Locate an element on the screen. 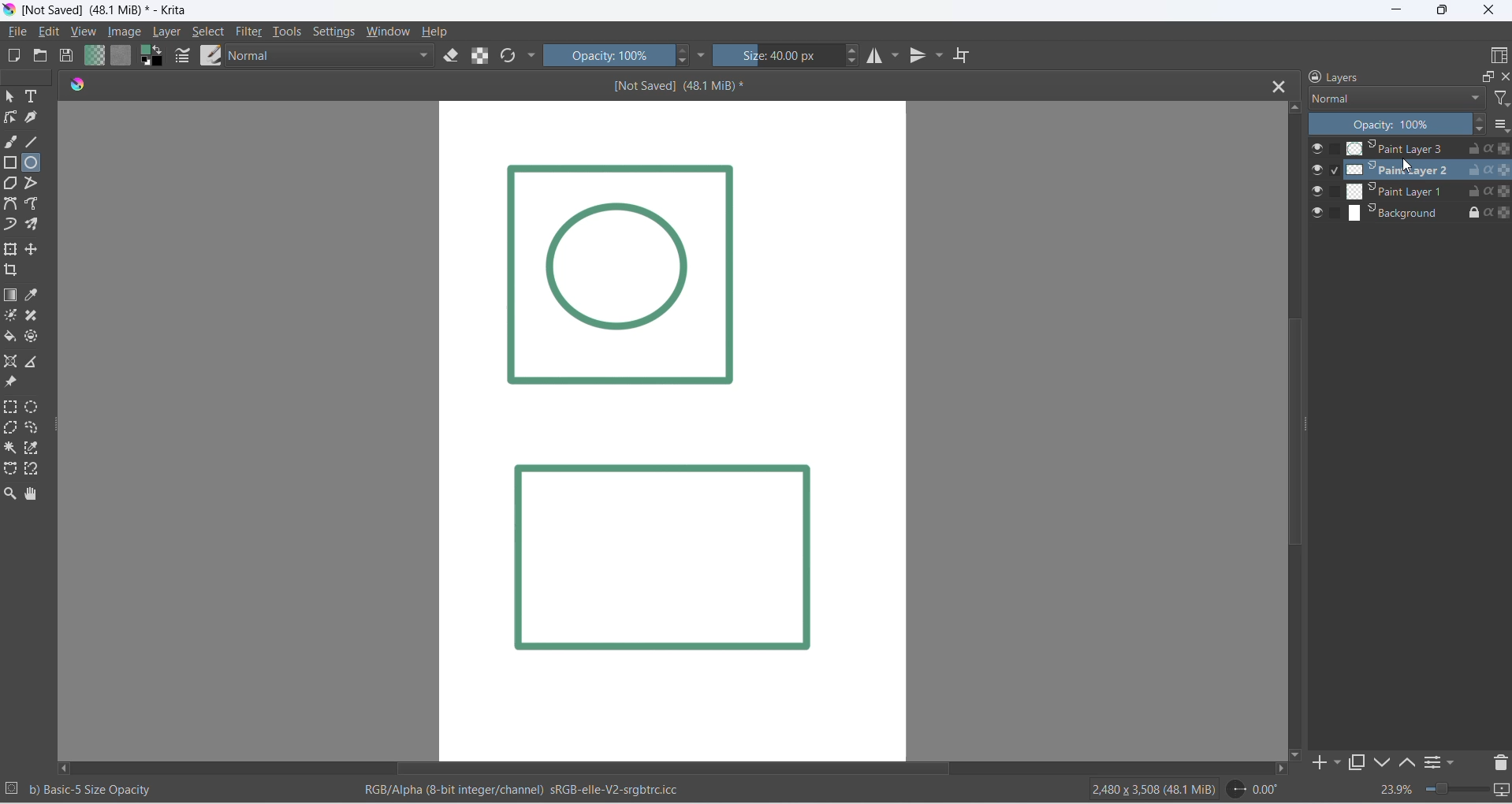 The width and height of the screenshot is (1512, 804). down is located at coordinates (1383, 763).